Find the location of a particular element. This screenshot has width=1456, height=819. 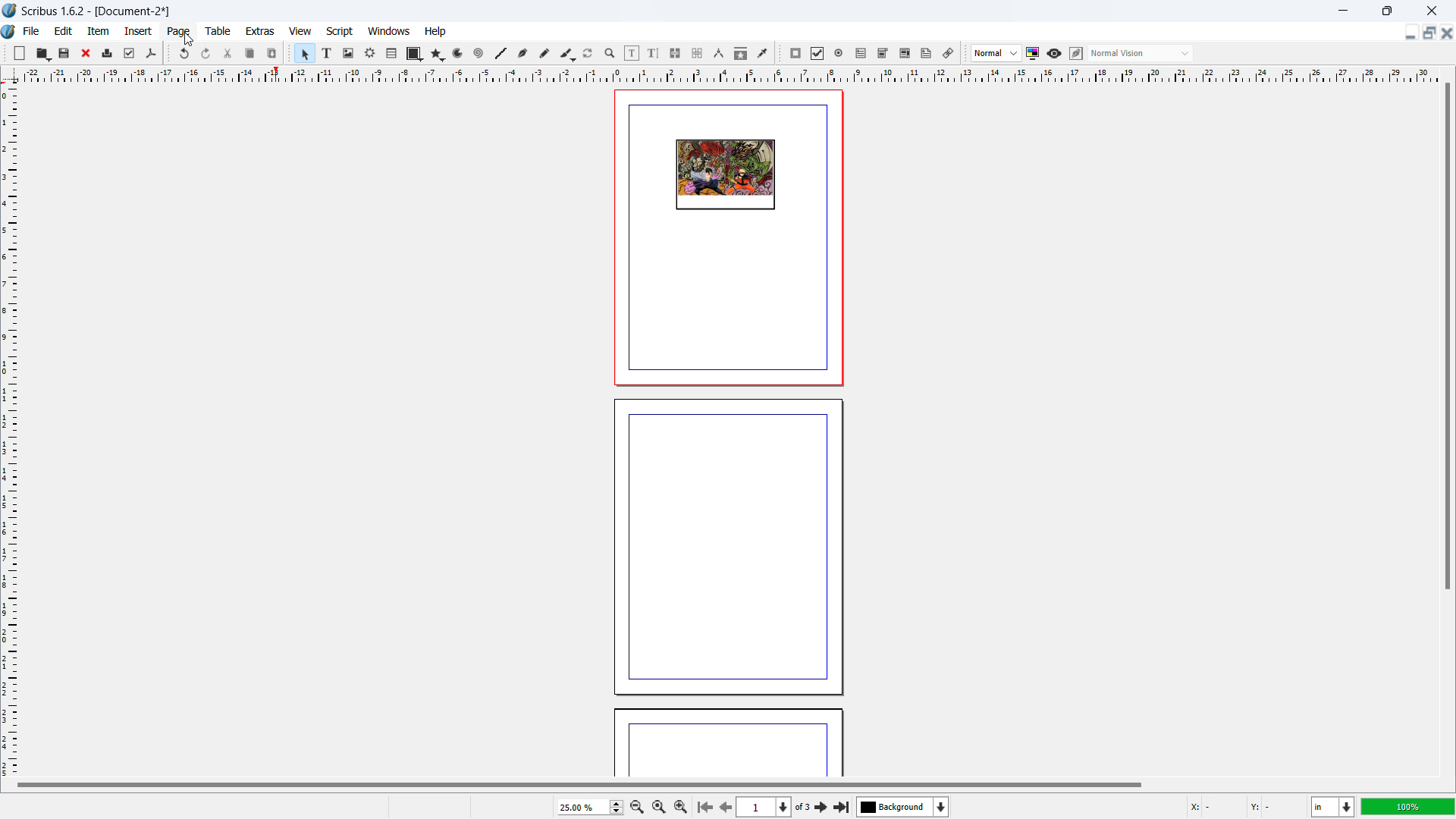

horizontal scrollbar is located at coordinates (579, 784).